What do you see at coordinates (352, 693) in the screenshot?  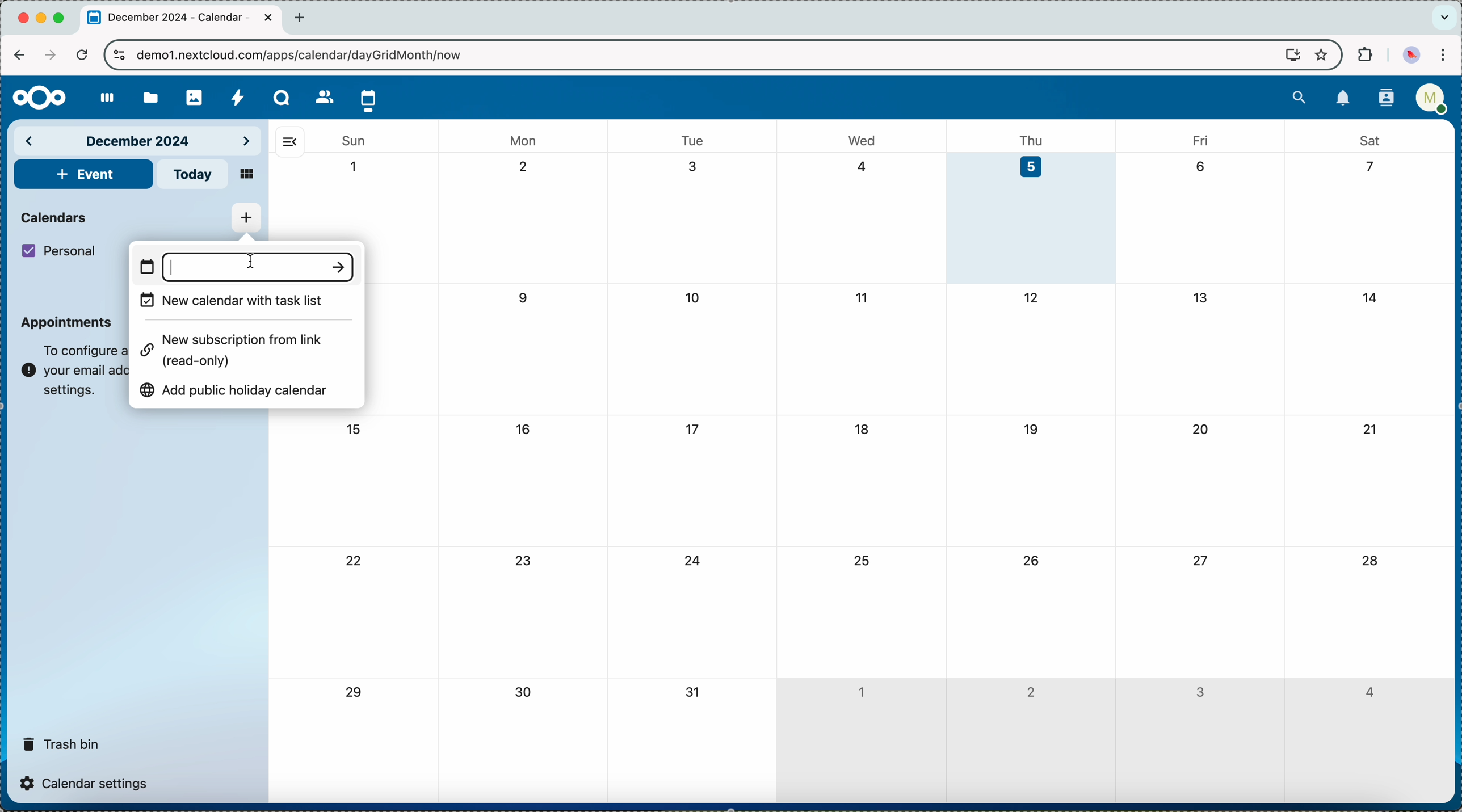 I see `29` at bounding box center [352, 693].